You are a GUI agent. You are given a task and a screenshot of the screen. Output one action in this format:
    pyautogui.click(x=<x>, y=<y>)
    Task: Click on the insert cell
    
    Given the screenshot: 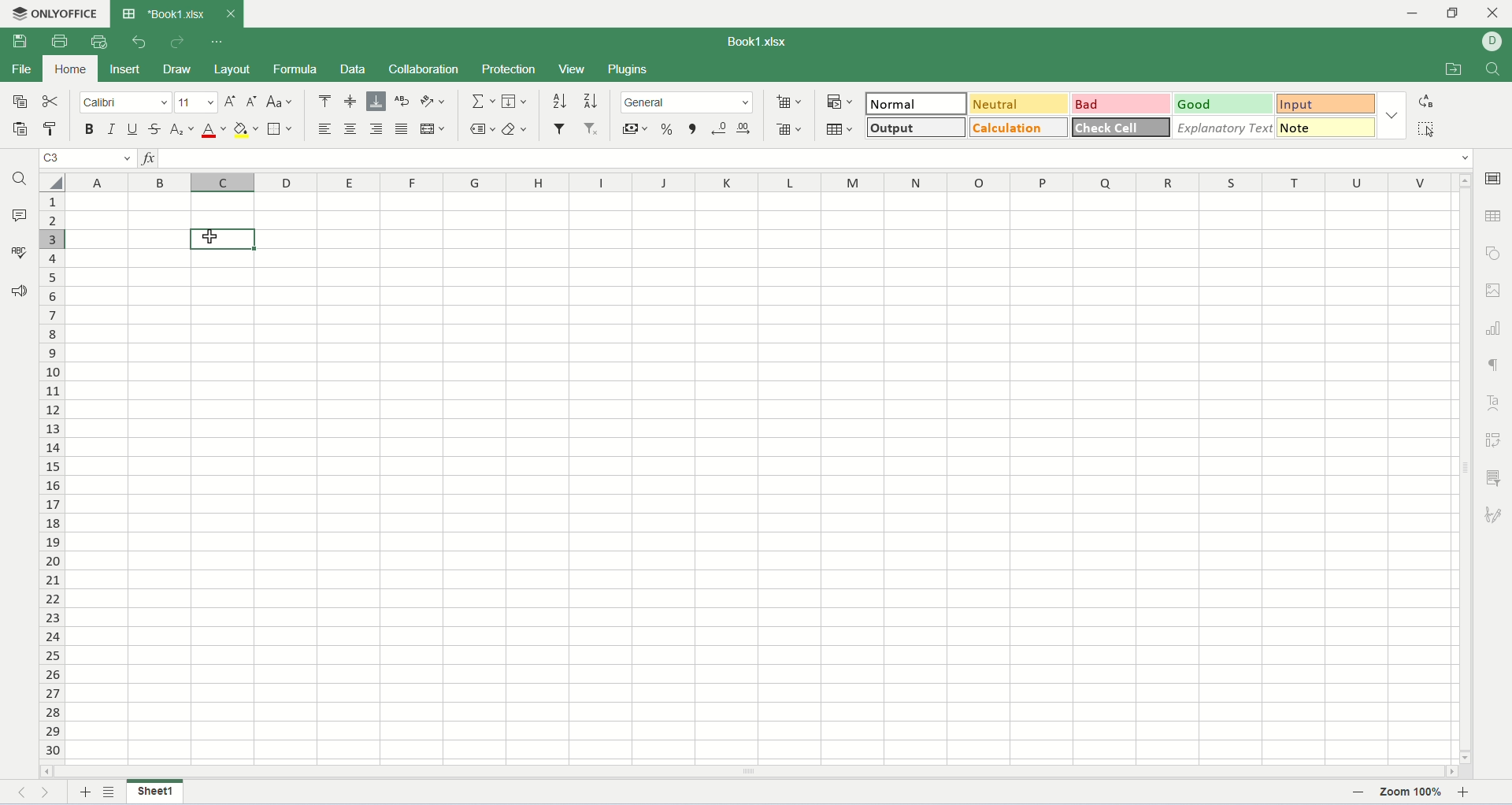 What is the action you would take?
    pyautogui.click(x=791, y=101)
    